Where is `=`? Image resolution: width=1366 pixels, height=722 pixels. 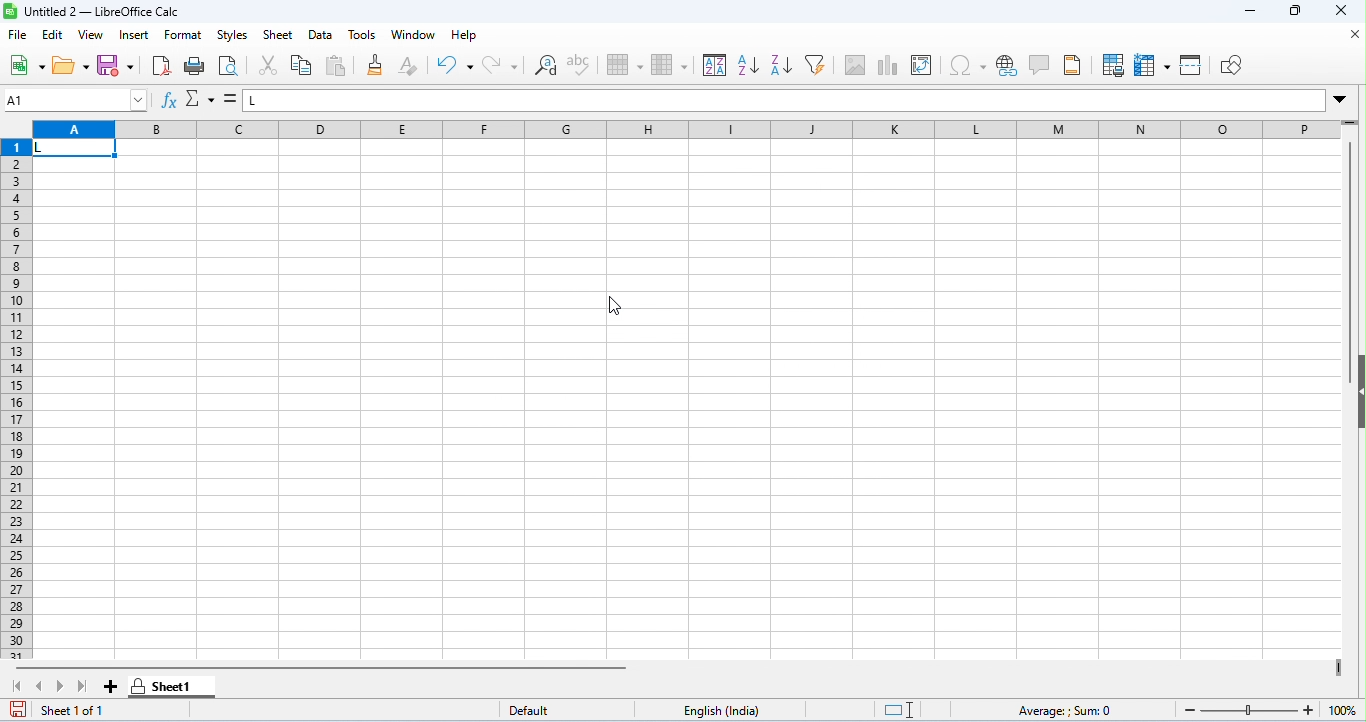
= is located at coordinates (232, 99).